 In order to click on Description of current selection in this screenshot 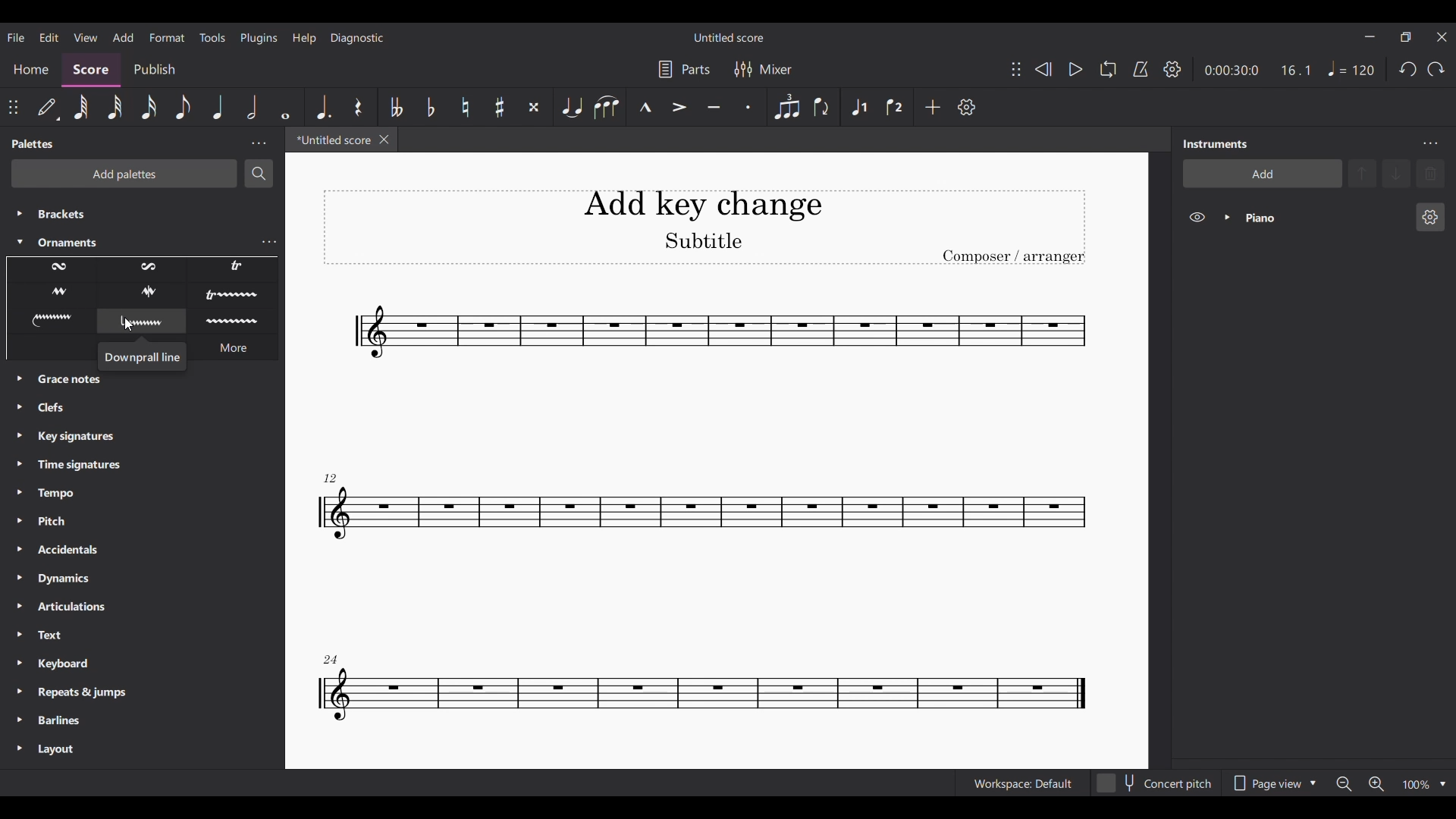, I will do `click(143, 356)`.